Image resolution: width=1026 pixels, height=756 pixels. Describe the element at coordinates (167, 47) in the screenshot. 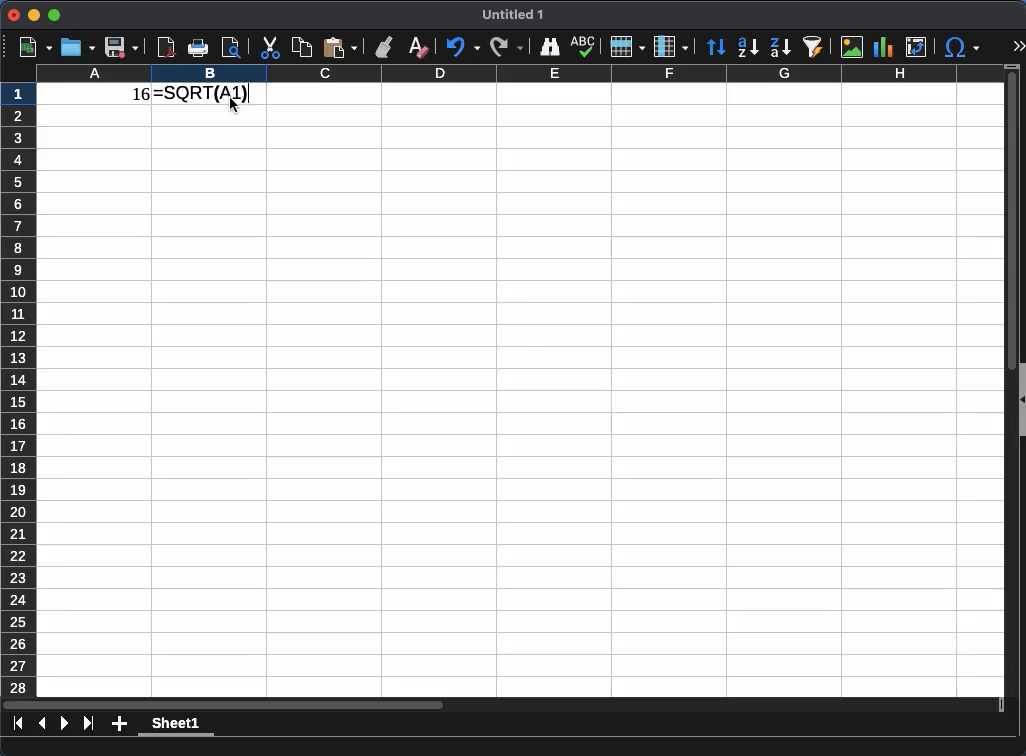

I see `pdf preview` at that location.